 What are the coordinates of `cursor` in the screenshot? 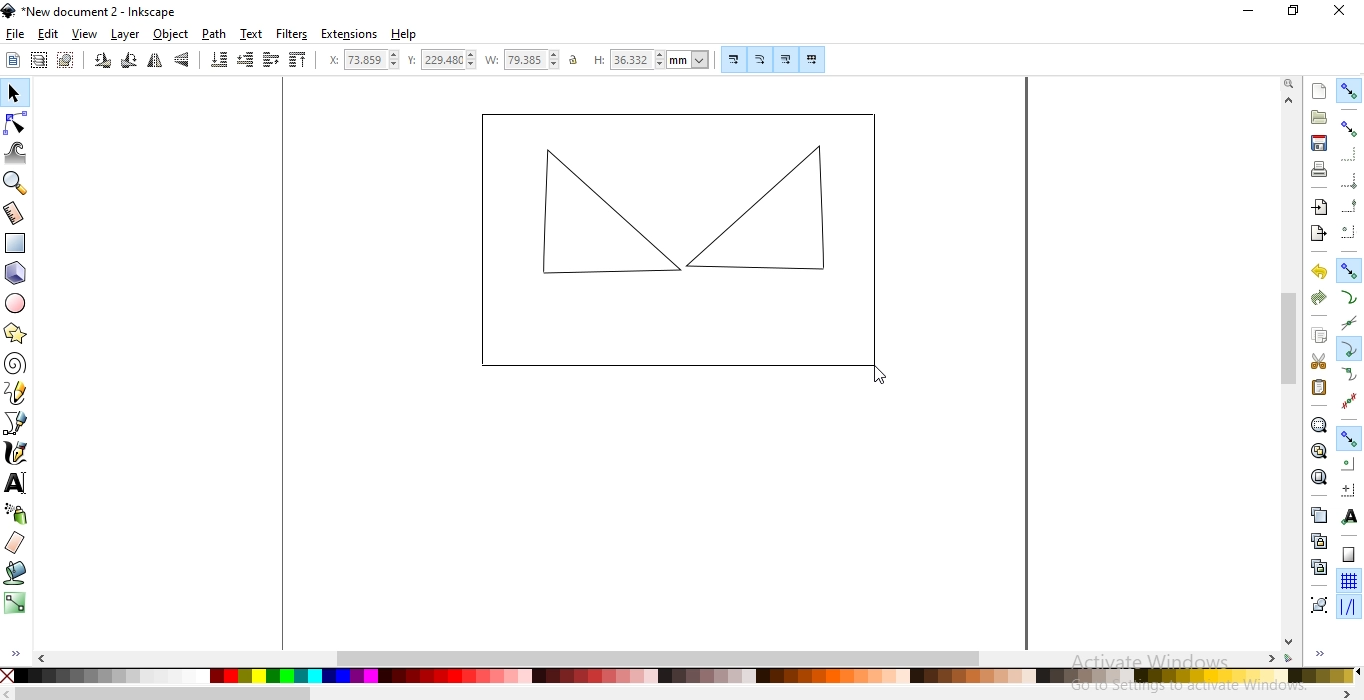 It's located at (876, 370).